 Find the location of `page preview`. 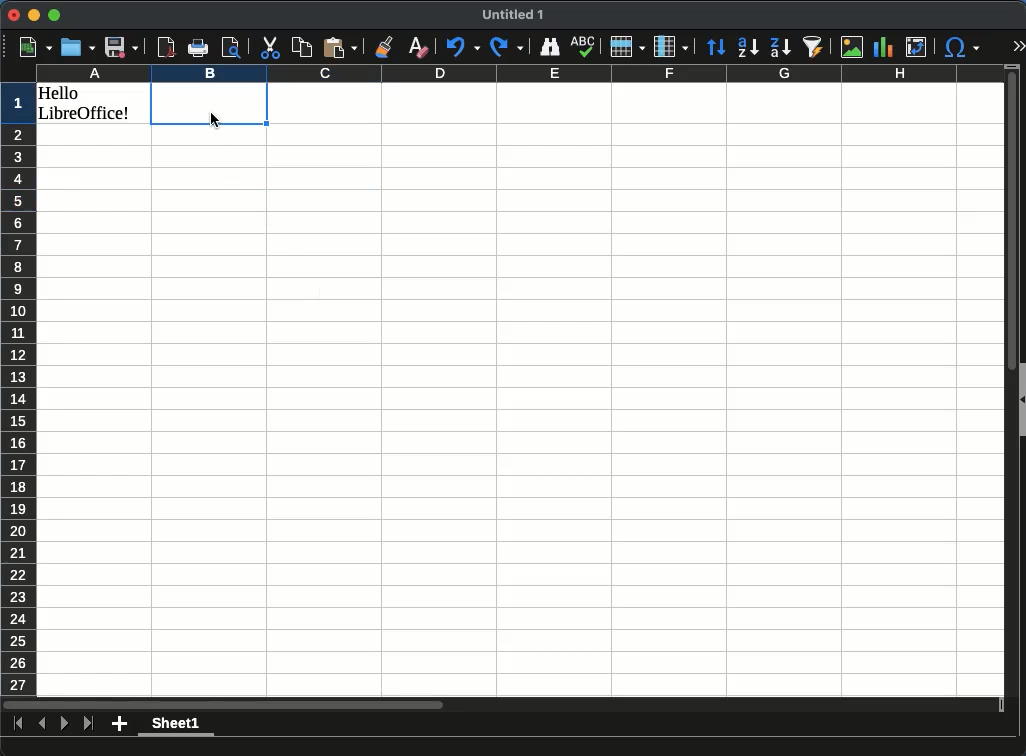

page preview is located at coordinates (233, 48).